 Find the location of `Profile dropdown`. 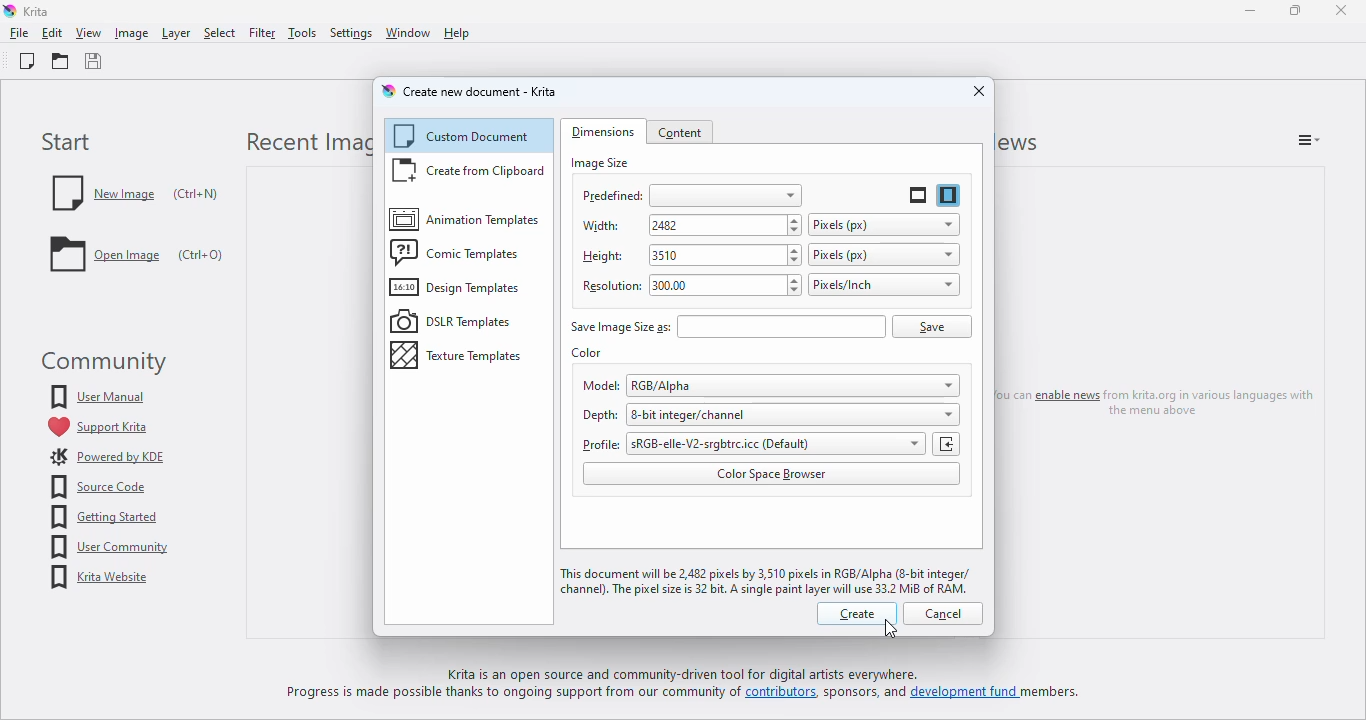

Profile dropdown is located at coordinates (908, 445).